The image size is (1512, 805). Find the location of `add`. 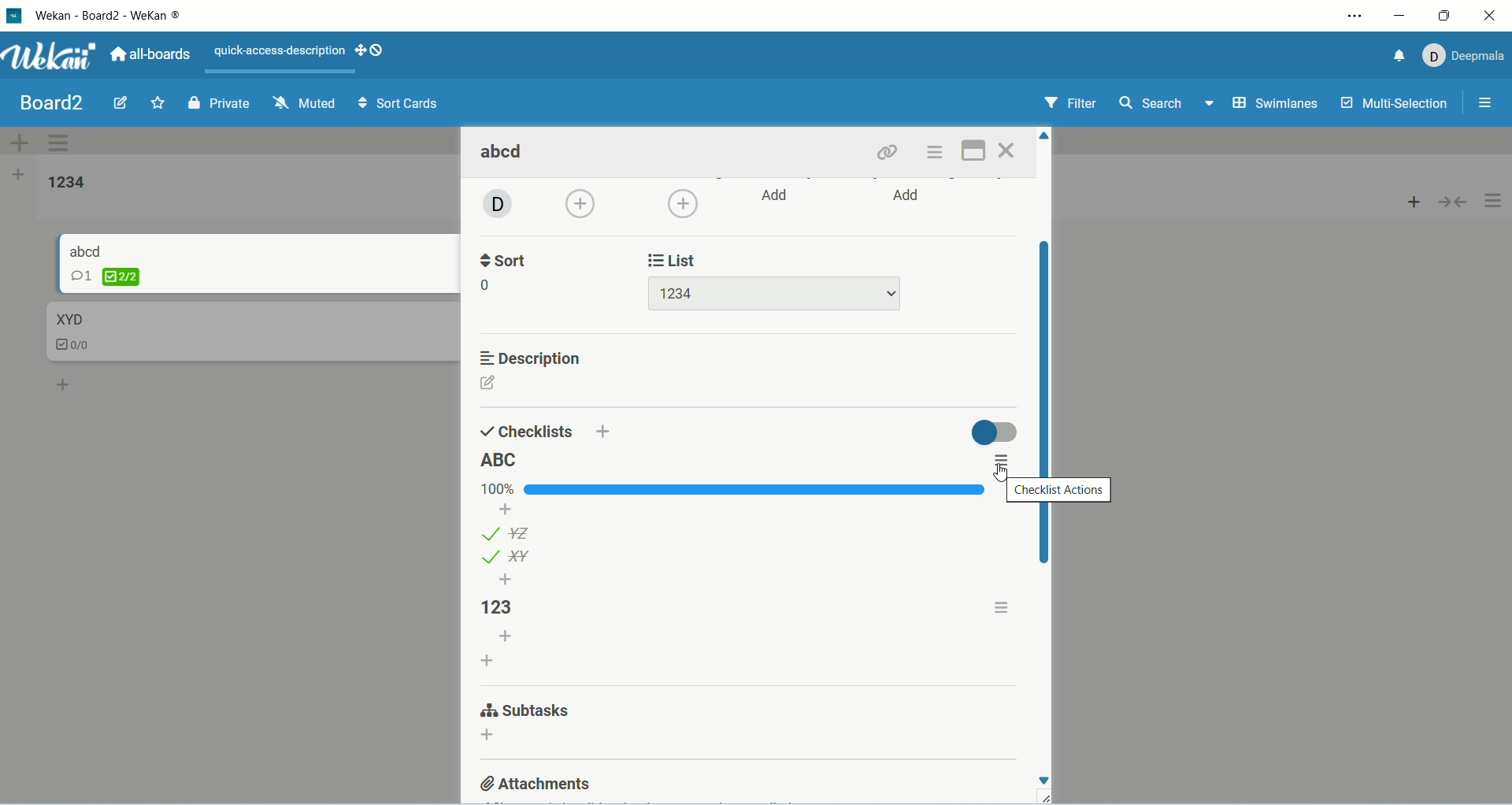

add is located at coordinates (604, 430).